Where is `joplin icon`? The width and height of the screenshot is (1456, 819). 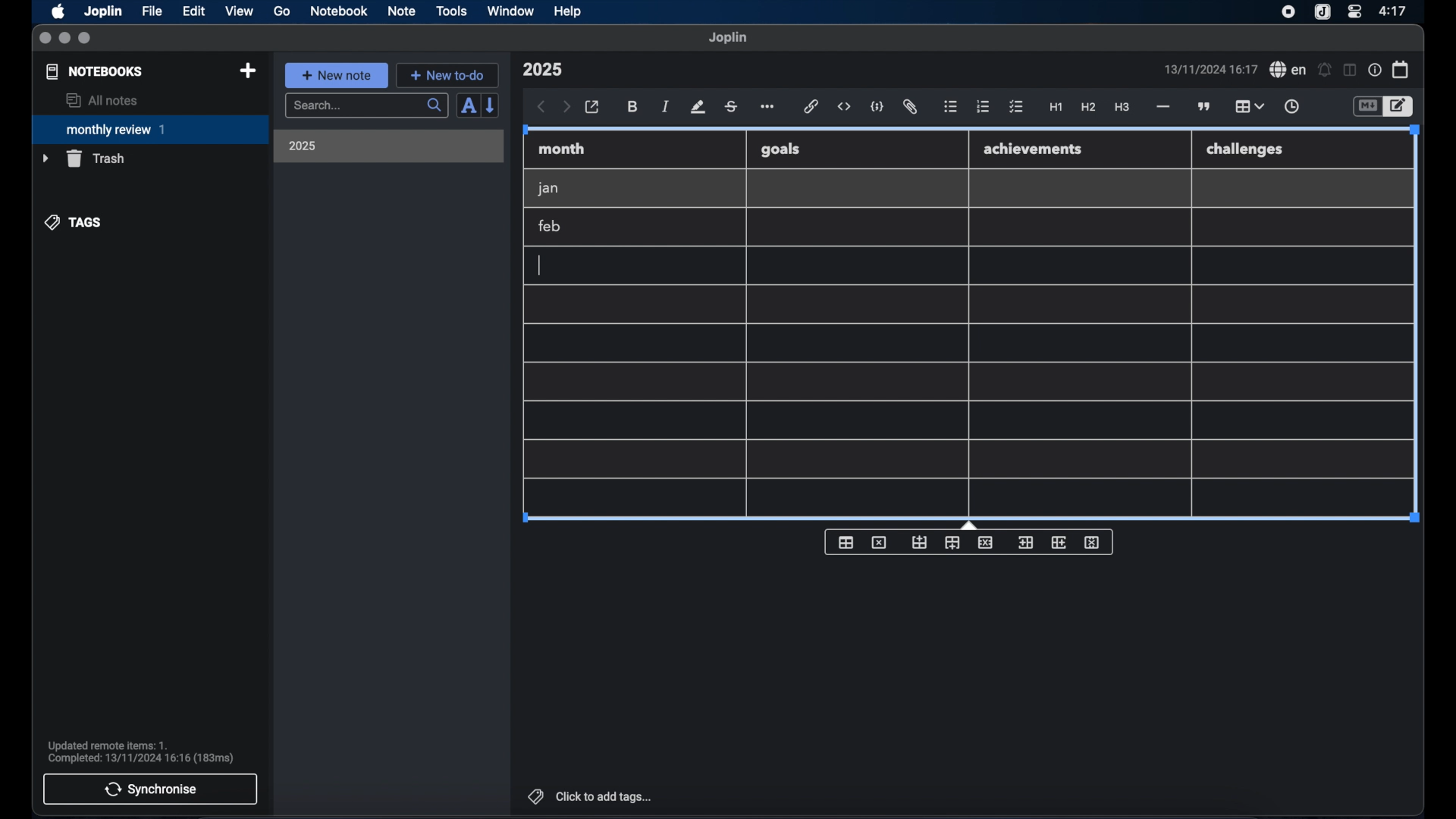 joplin icon is located at coordinates (1321, 13).